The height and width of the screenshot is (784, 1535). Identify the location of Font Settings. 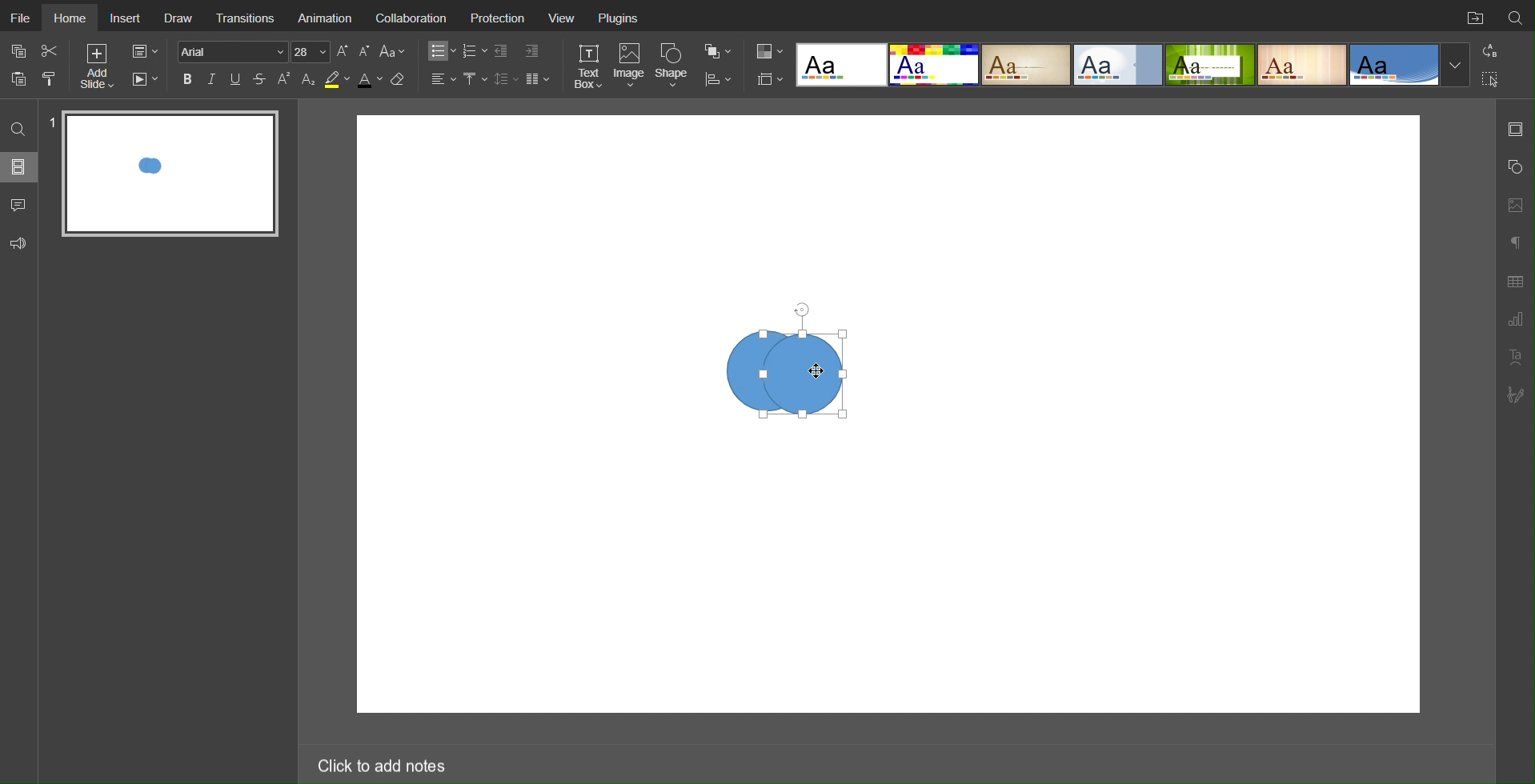
(251, 51).